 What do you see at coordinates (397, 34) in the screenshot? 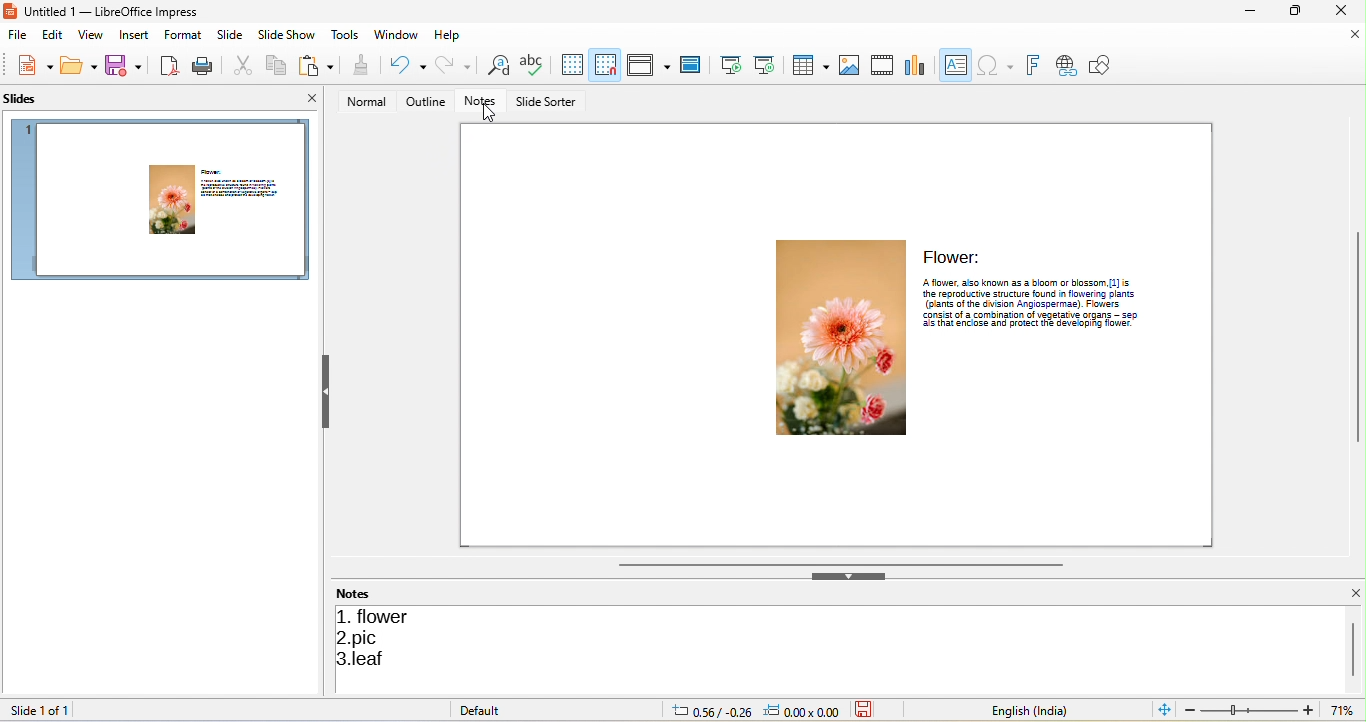
I see `window` at bounding box center [397, 34].